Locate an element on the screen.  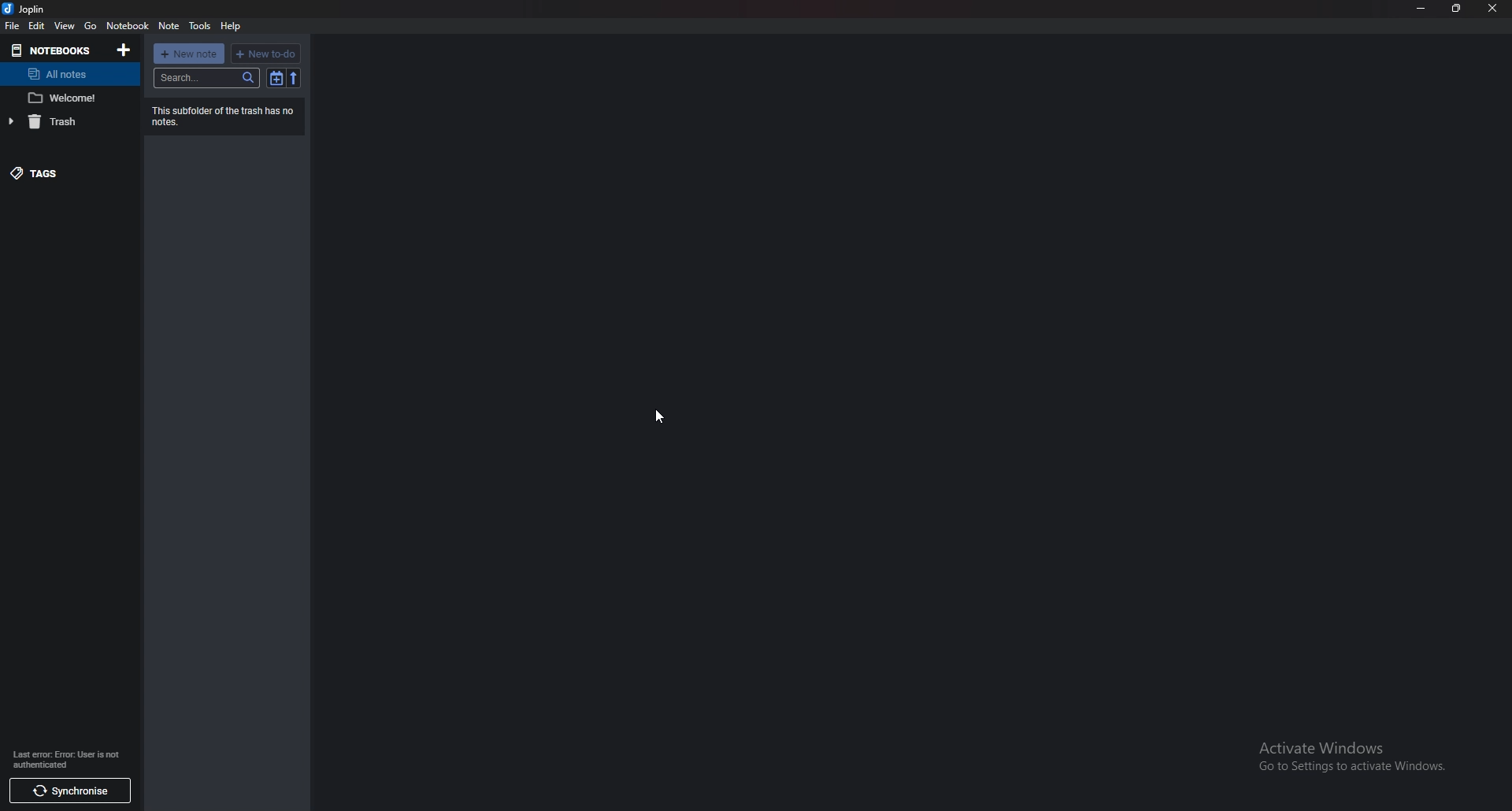
Notebook is located at coordinates (128, 26).